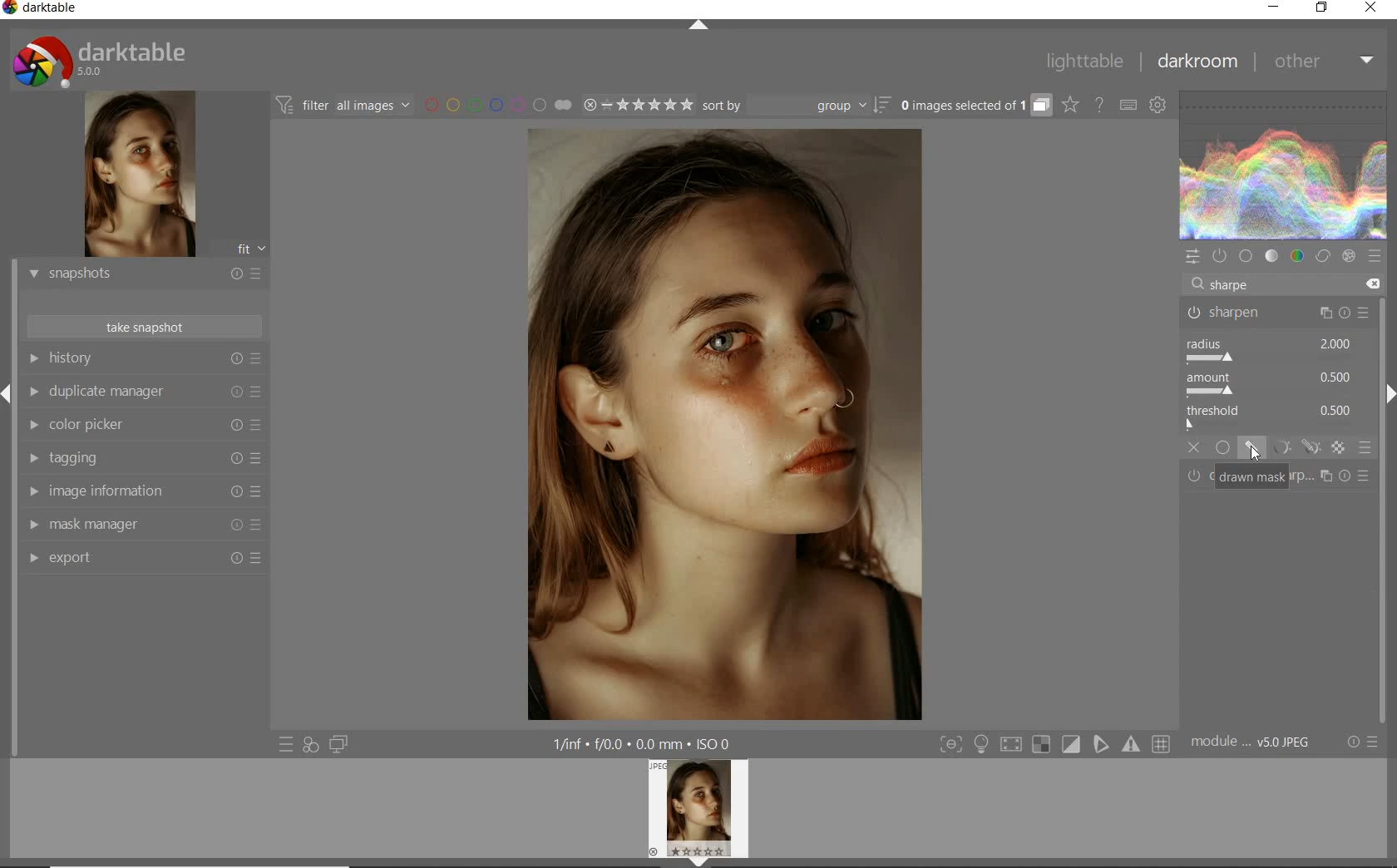 The height and width of the screenshot is (868, 1397). I want to click on color picker, so click(144, 427).